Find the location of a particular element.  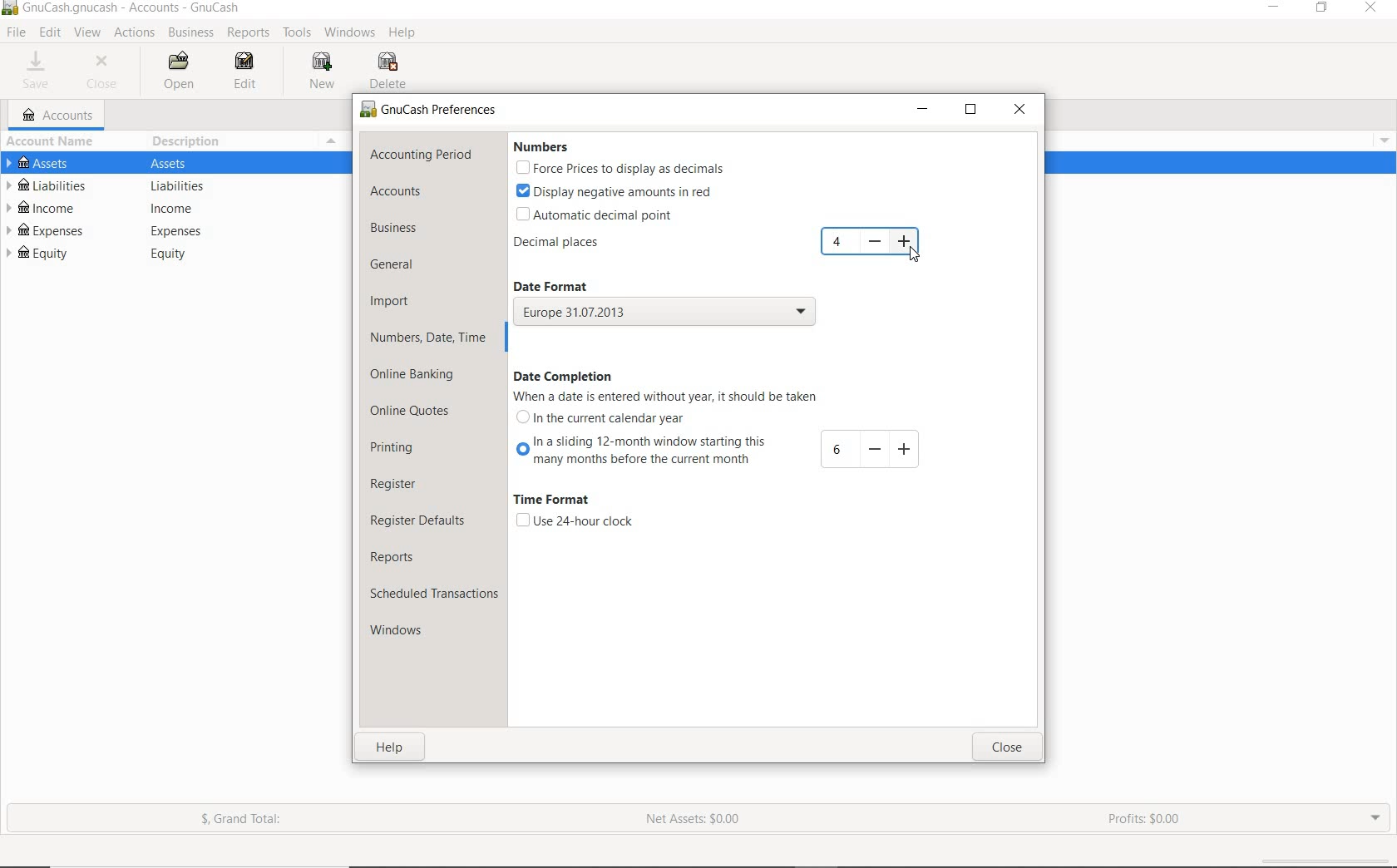

NEW is located at coordinates (320, 72).